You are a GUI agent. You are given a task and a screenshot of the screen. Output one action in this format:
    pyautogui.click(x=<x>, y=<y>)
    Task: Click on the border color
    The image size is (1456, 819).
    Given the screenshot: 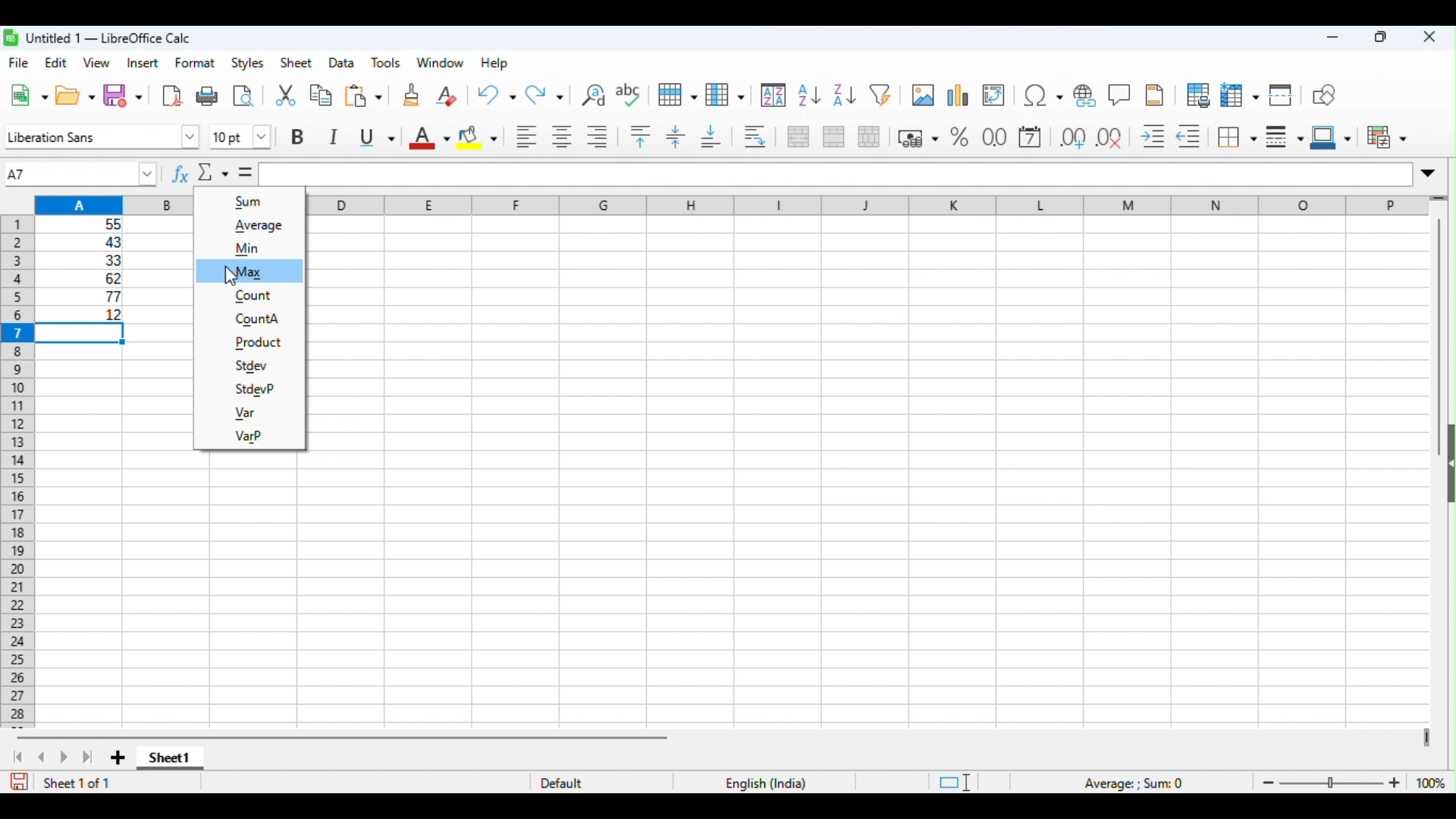 What is the action you would take?
    pyautogui.click(x=1330, y=136)
    